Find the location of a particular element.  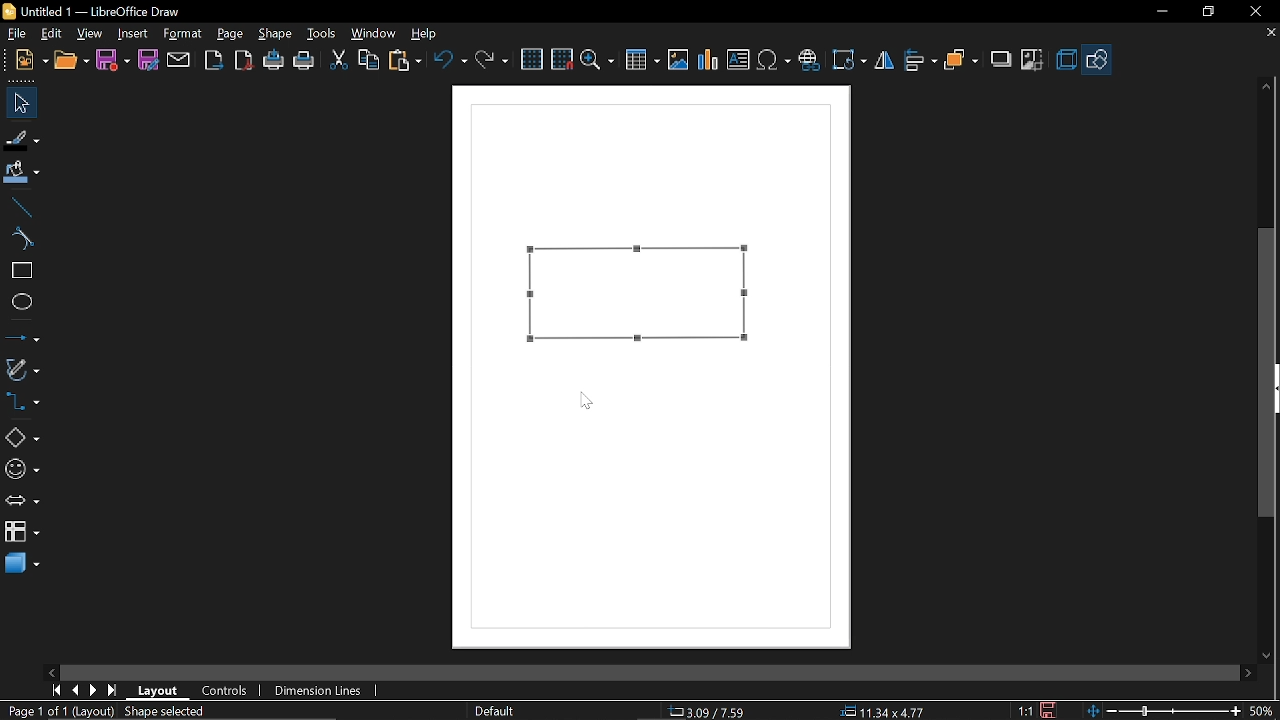

insert hyperlink is located at coordinates (809, 60).